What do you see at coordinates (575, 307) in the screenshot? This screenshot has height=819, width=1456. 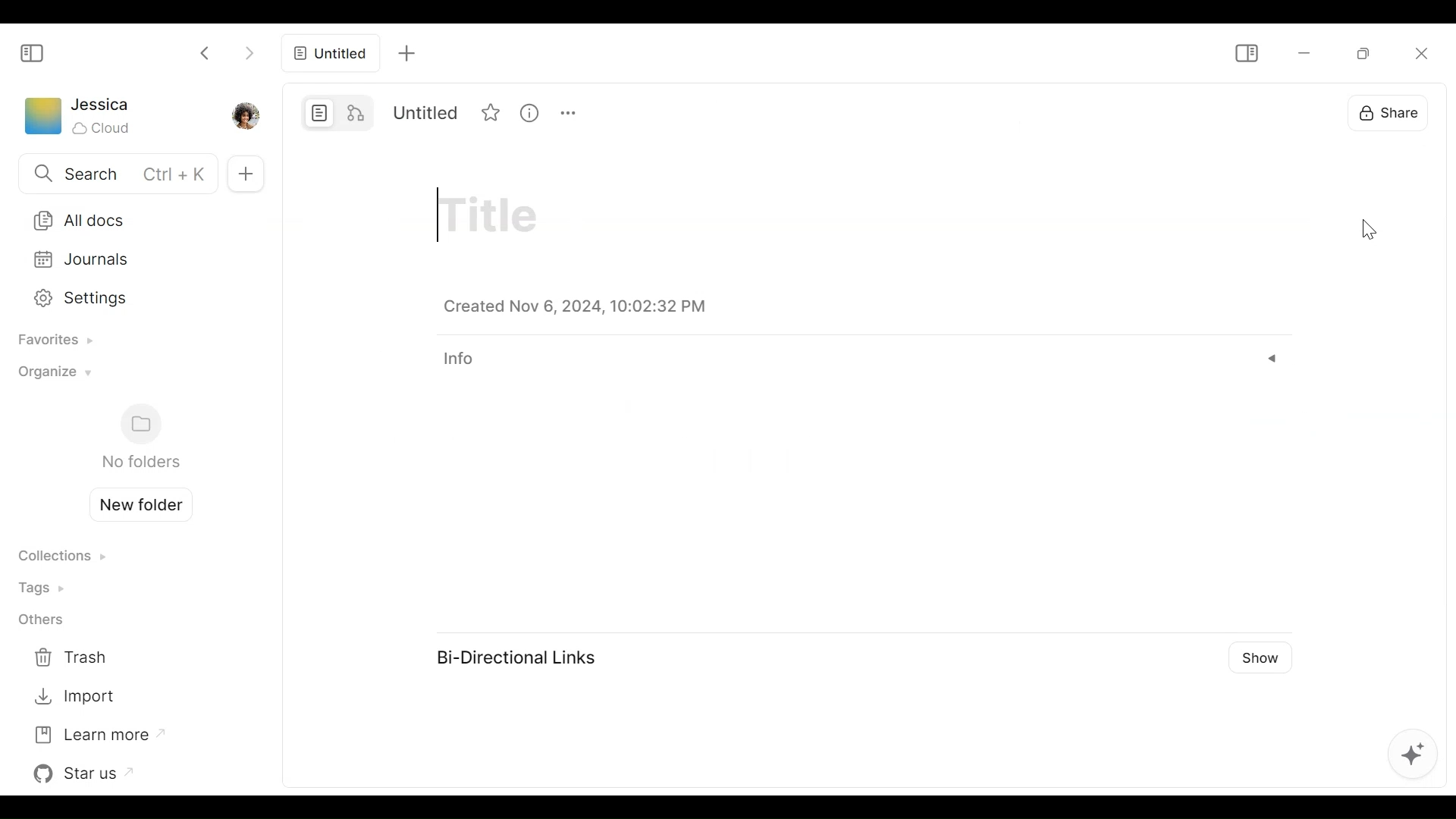 I see `Created Date and Time` at bounding box center [575, 307].